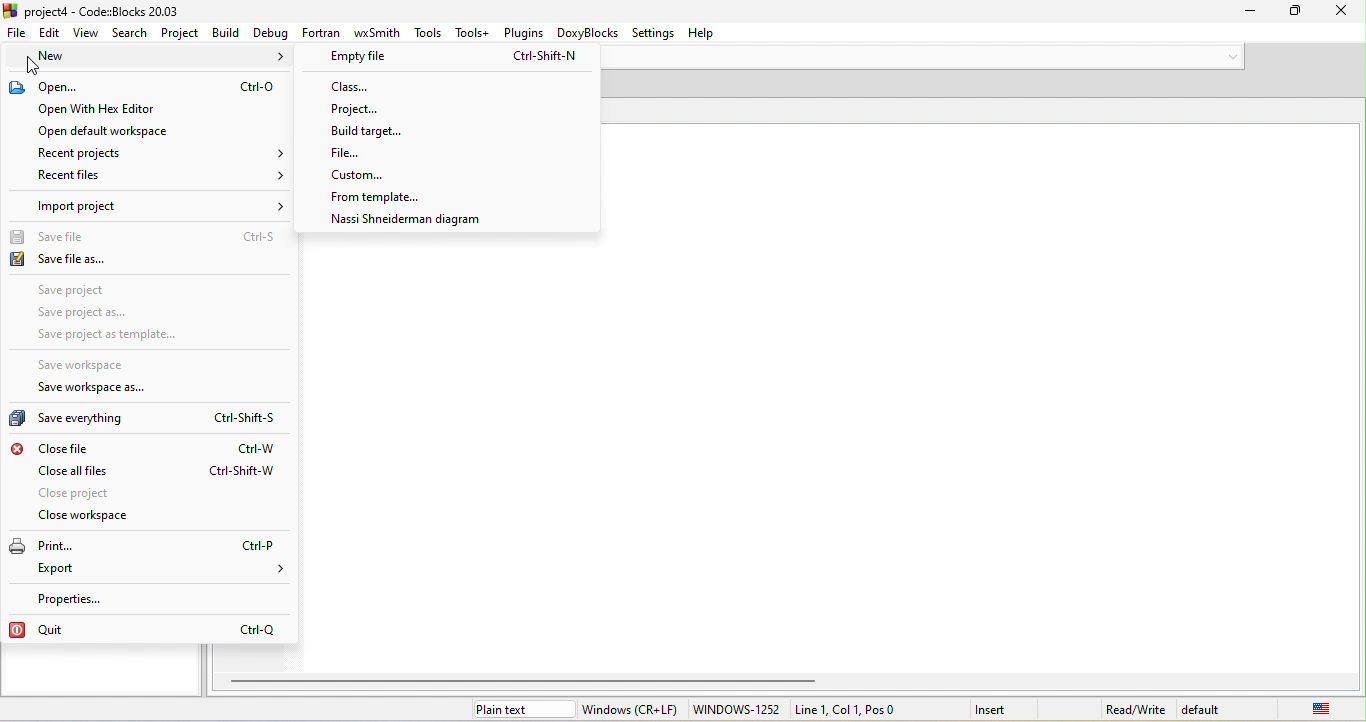  I want to click on minimize, so click(1240, 12).